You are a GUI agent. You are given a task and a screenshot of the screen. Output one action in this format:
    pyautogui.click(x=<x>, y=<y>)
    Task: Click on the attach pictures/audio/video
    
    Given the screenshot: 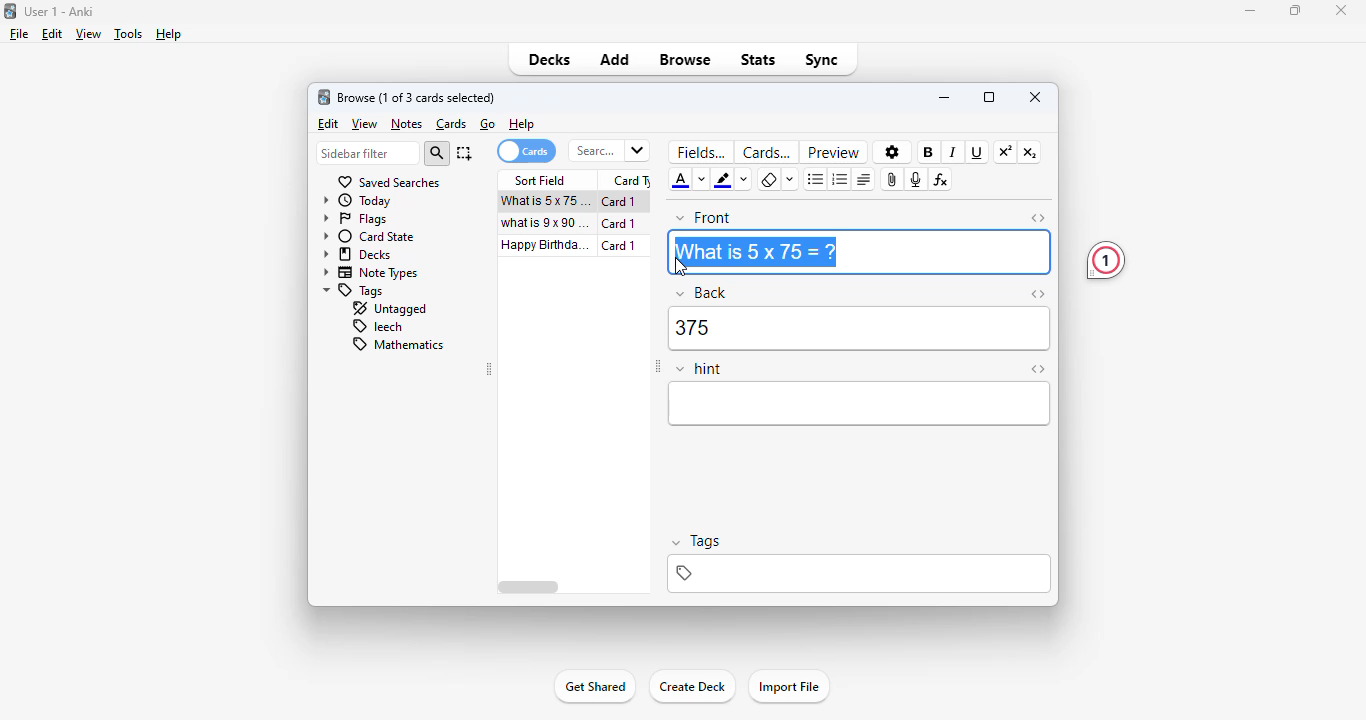 What is the action you would take?
    pyautogui.click(x=894, y=180)
    